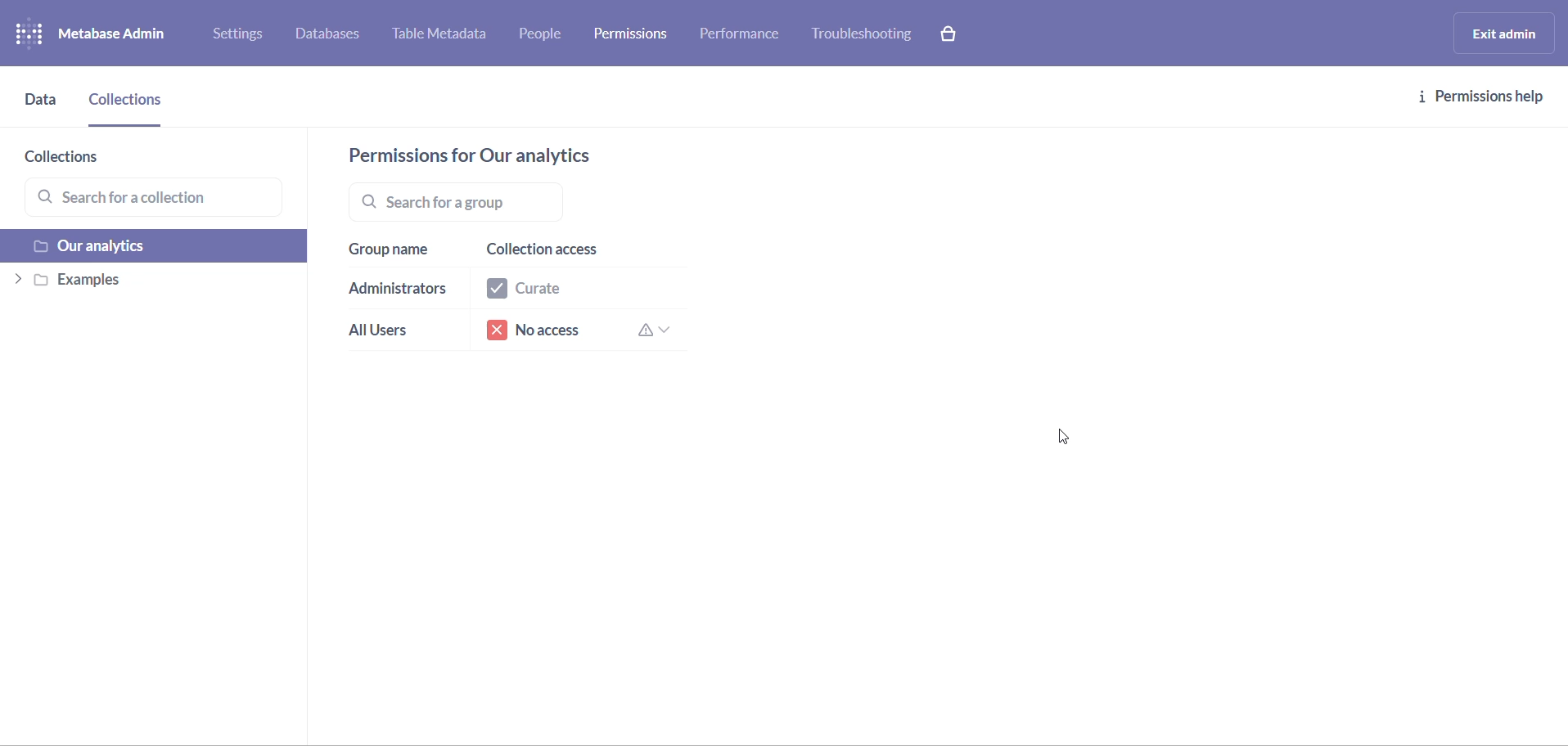 This screenshot has height=746, width=1568. What do you see at coordinates (150, 283) in the screenshot?
I see `examples` at bounding box center [150, 283].